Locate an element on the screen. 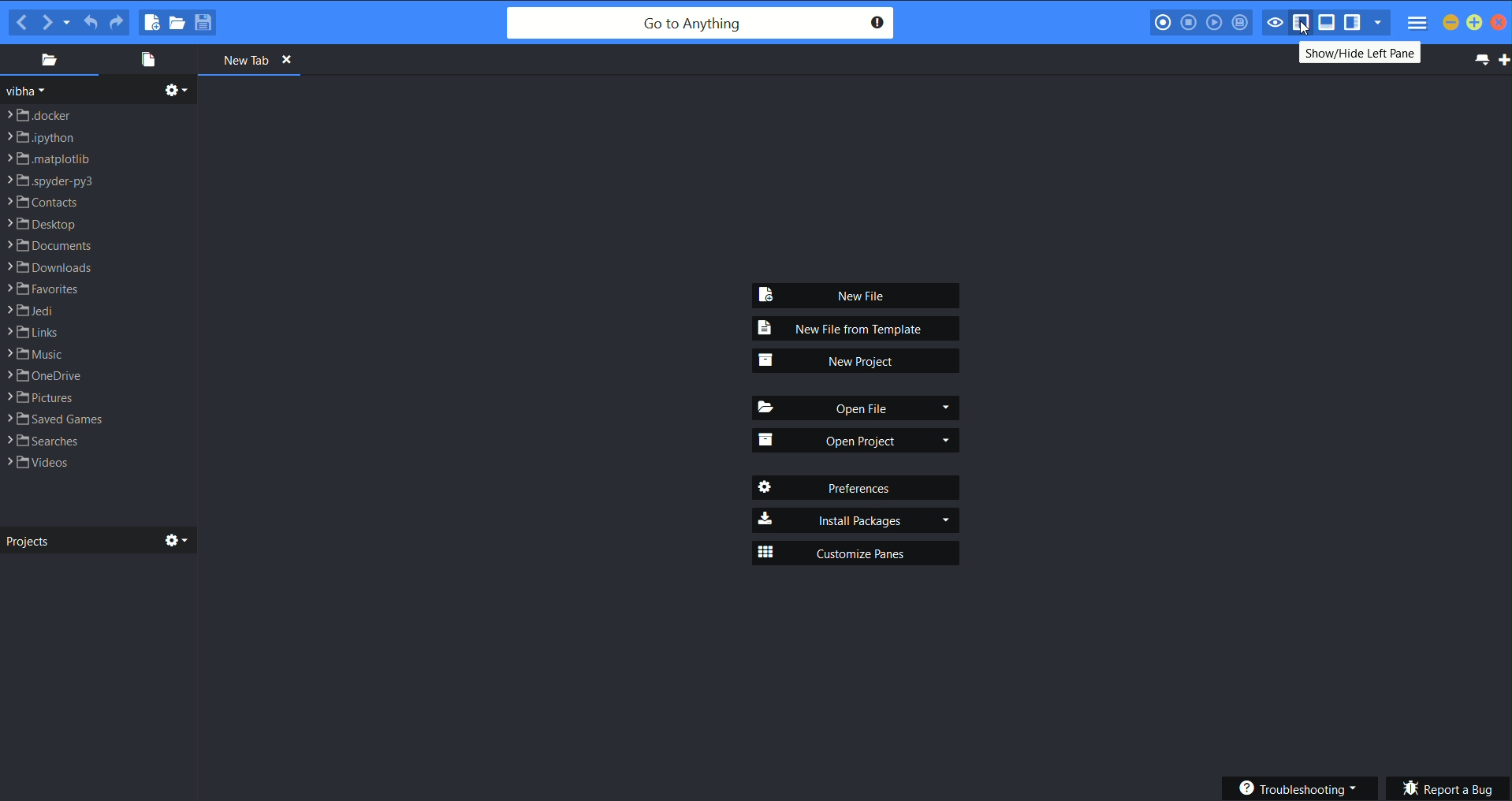 Image resolution: width=1512 pixels, height=801 pixels. .ipython is located at coordinates (41, 137).